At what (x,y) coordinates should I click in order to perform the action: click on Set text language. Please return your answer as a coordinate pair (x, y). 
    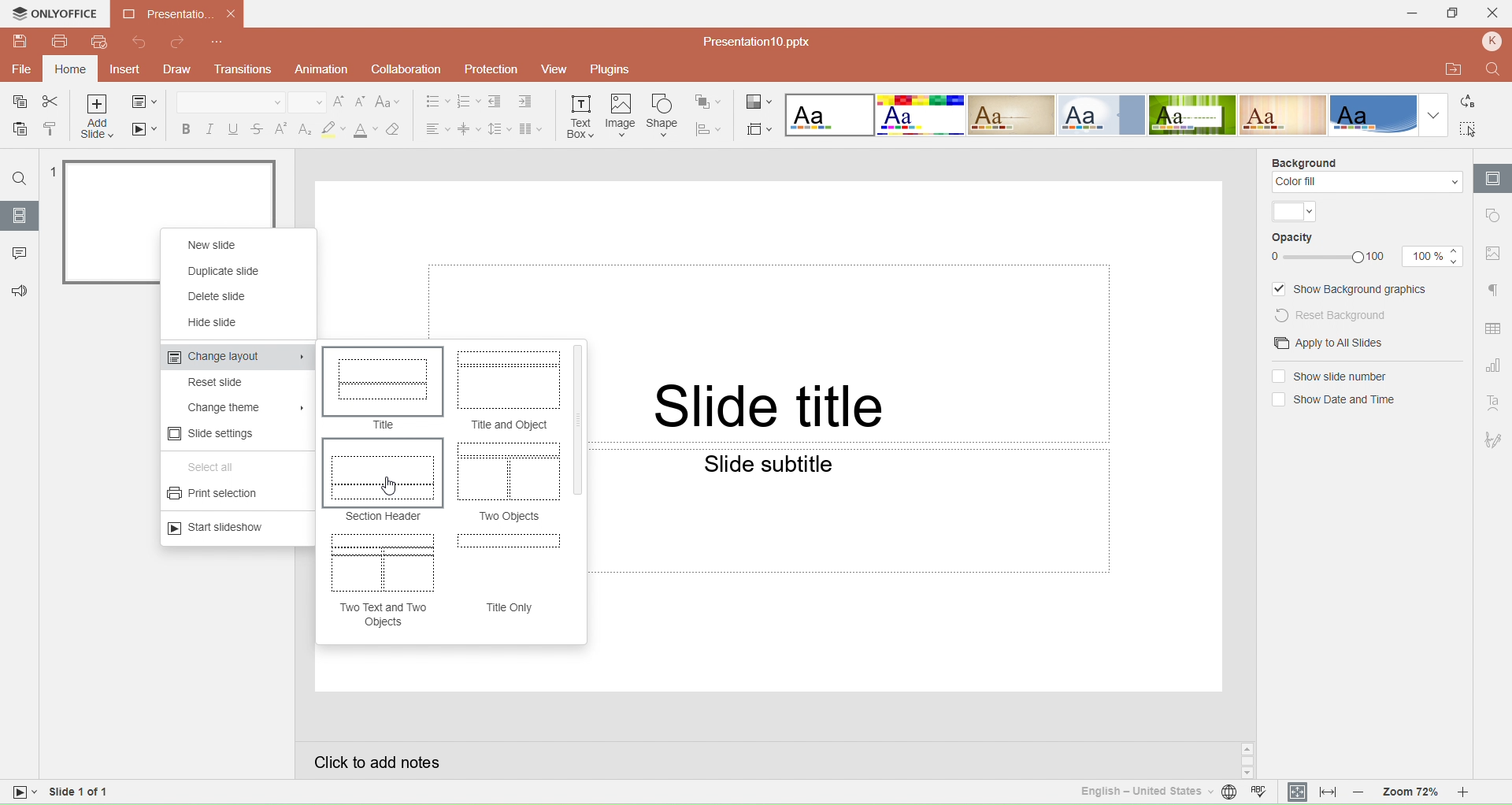
    Looking at the image, I should click on (1137, 791).